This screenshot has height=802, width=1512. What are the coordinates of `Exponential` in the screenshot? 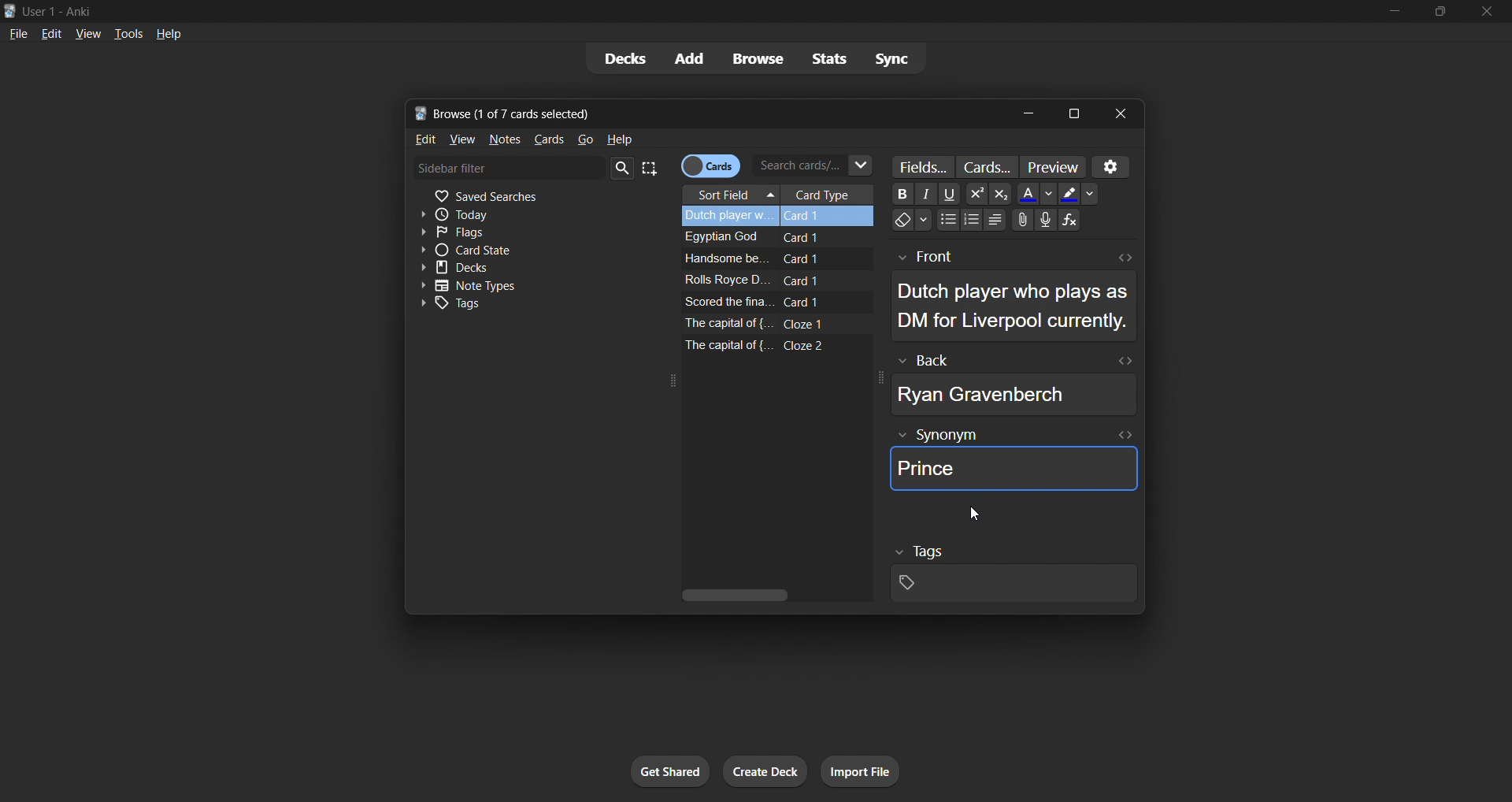 It's located at (999, 192).